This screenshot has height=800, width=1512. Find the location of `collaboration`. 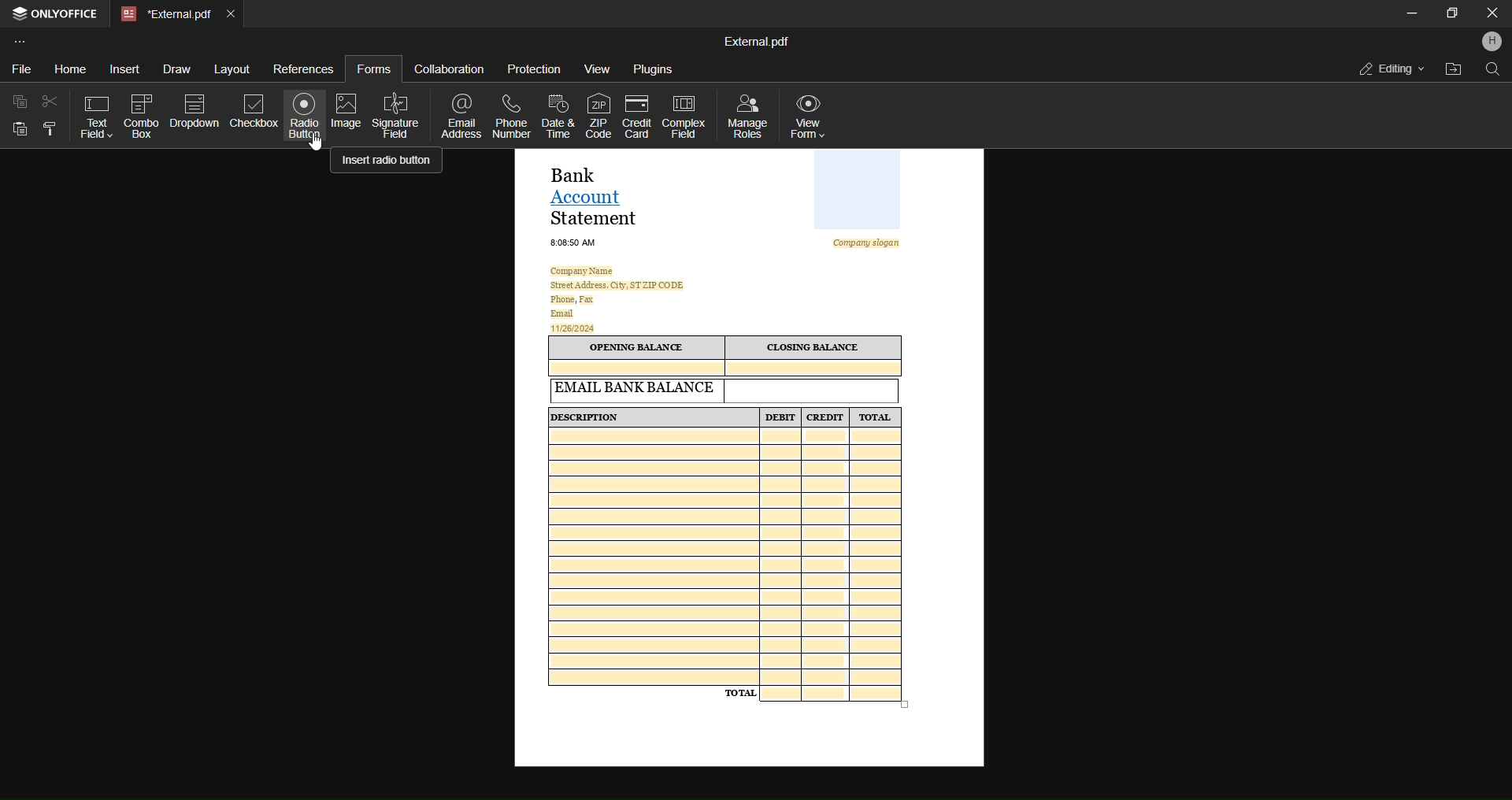

collaboration is located at coordinates (451, 67).